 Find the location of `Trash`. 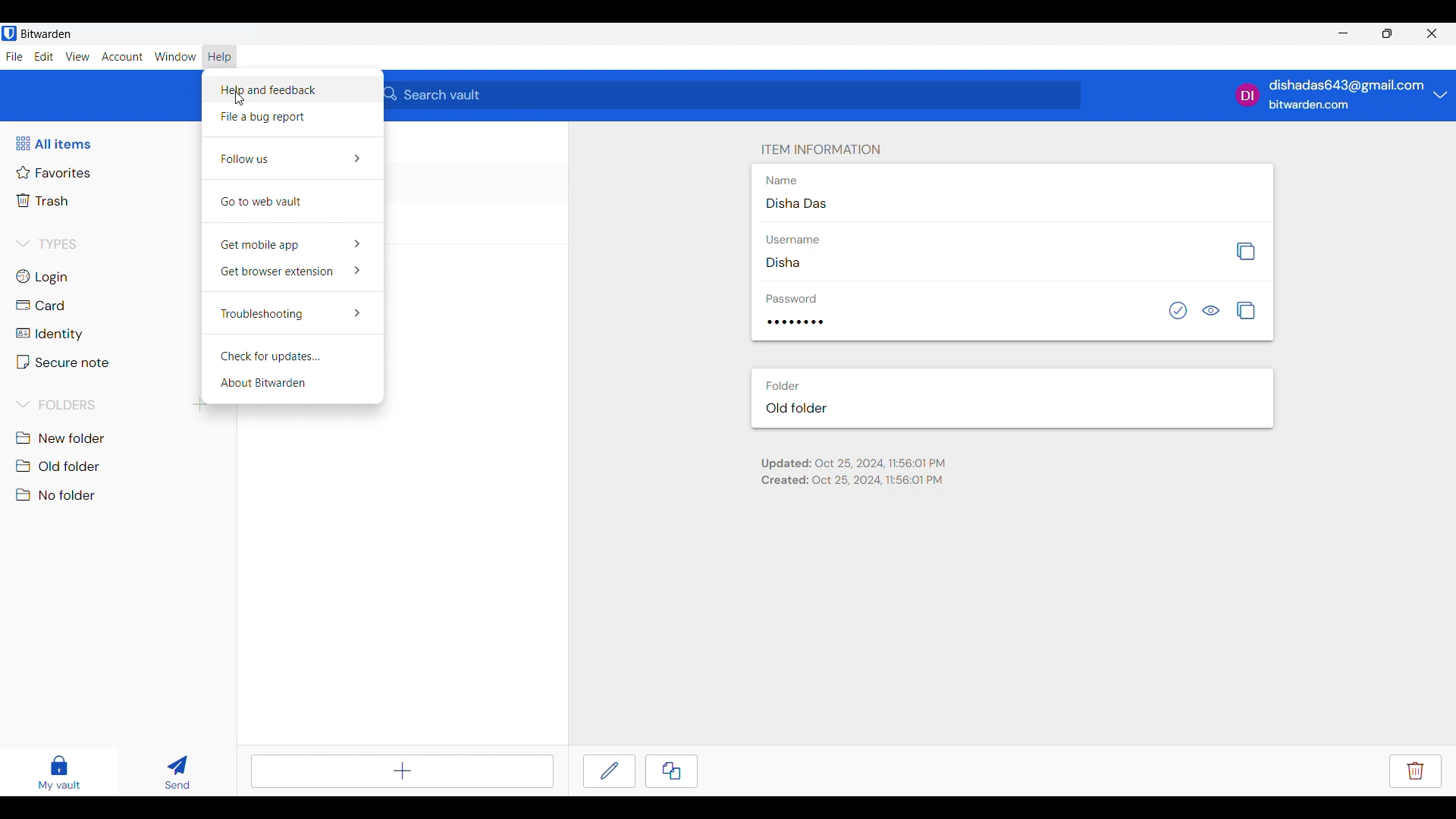

Trash is located at coordinates (44, 200).